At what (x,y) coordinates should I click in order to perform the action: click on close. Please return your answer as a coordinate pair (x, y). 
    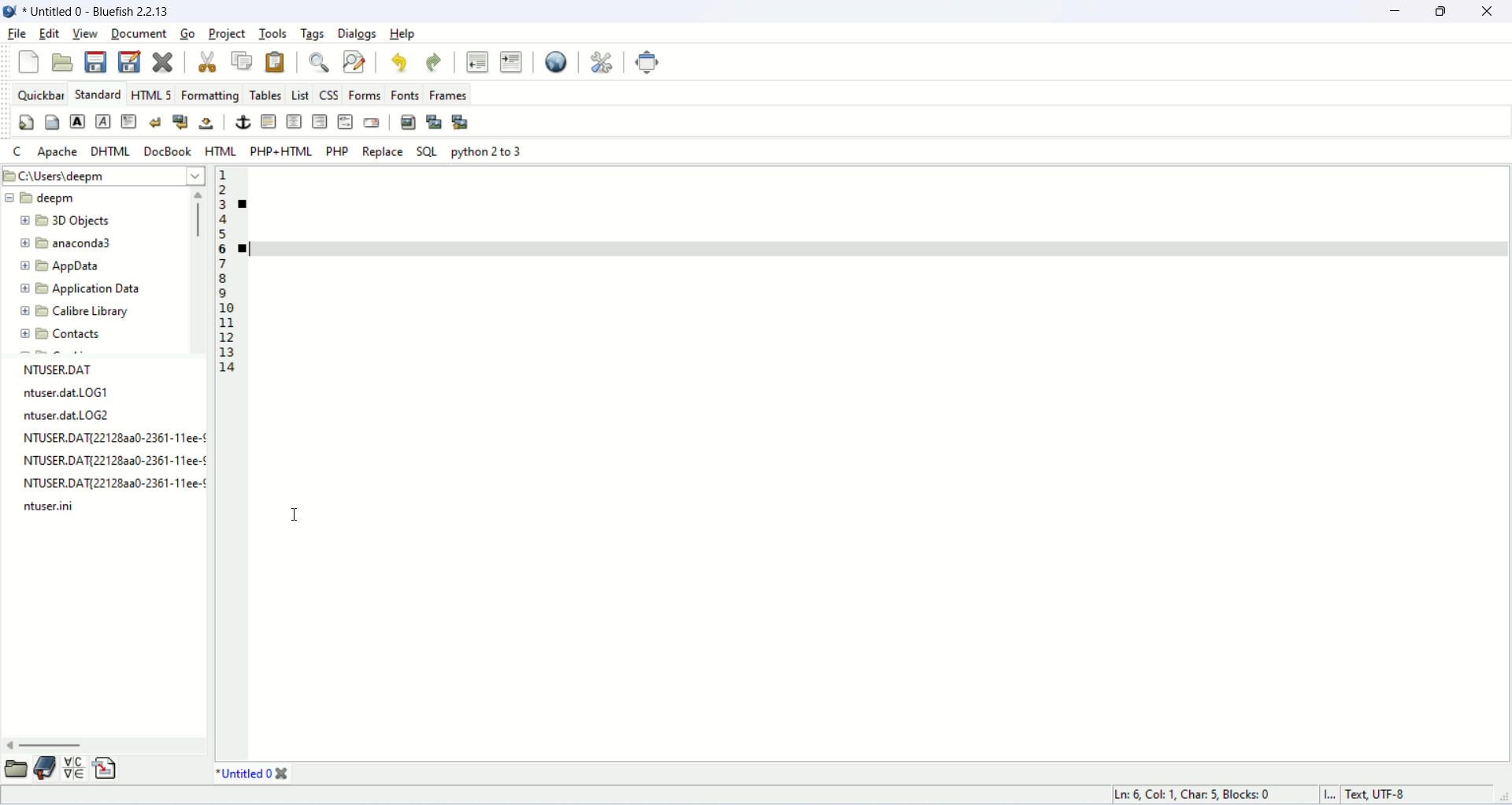
    Looking at the image, I should click on (1493, 12).